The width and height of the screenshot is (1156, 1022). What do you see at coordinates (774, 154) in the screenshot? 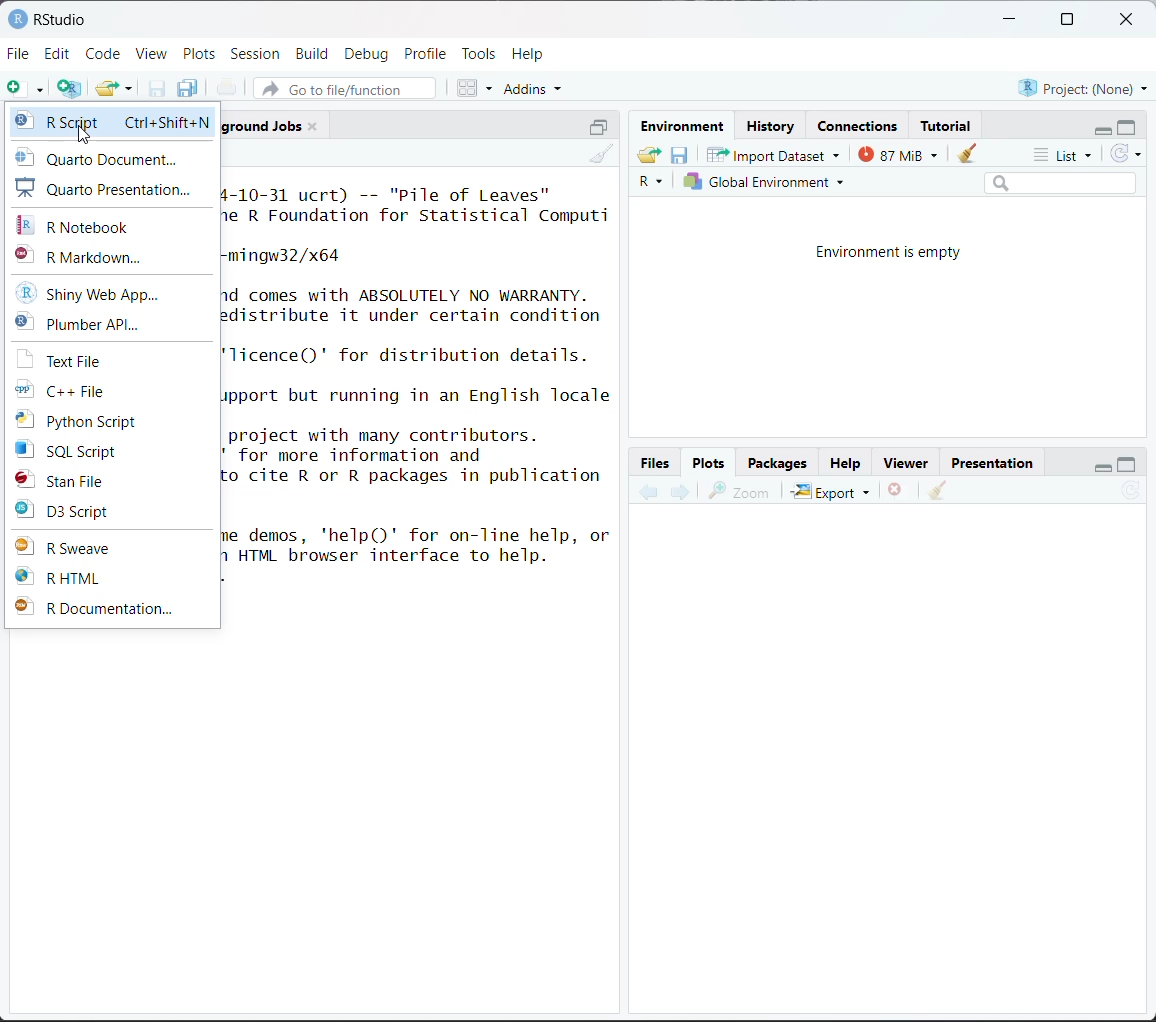
I see `Import Dataset` at bounding box center [774, 154].